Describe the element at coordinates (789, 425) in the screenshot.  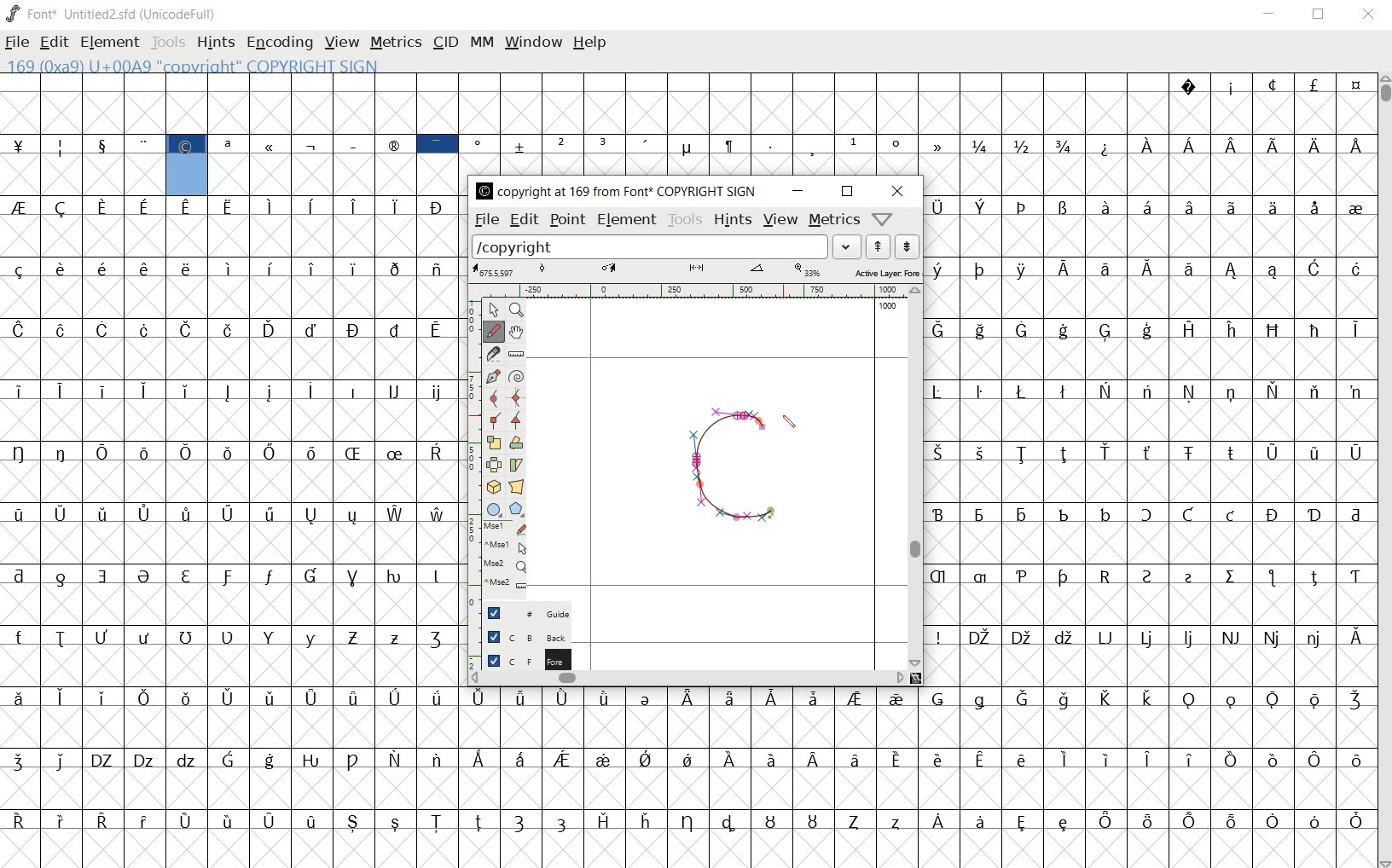
I see `pencil tool/CURSOR LOCATION` at that location.